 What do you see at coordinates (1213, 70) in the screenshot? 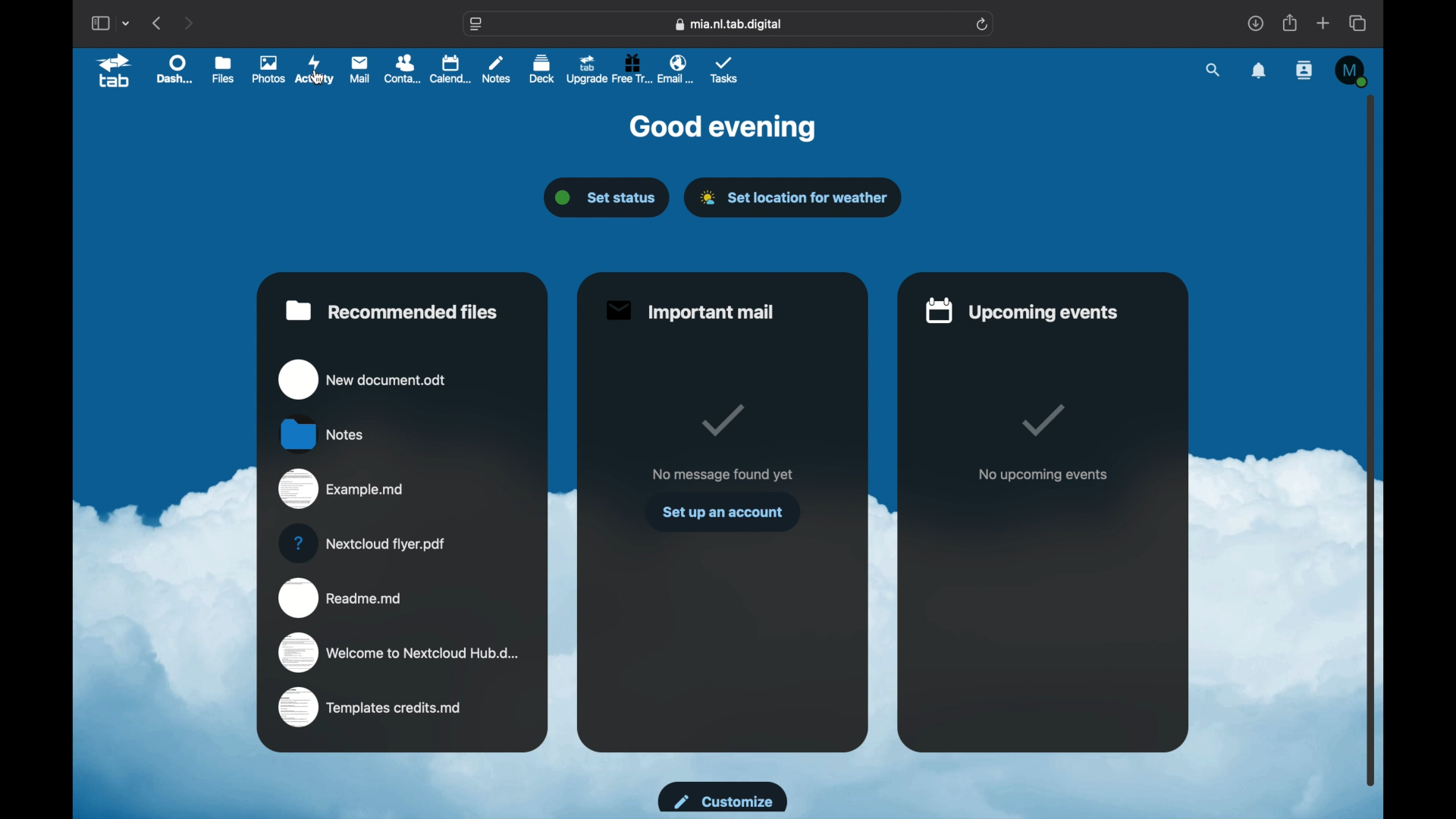
I see `search` at bounding box center [1213, 70].